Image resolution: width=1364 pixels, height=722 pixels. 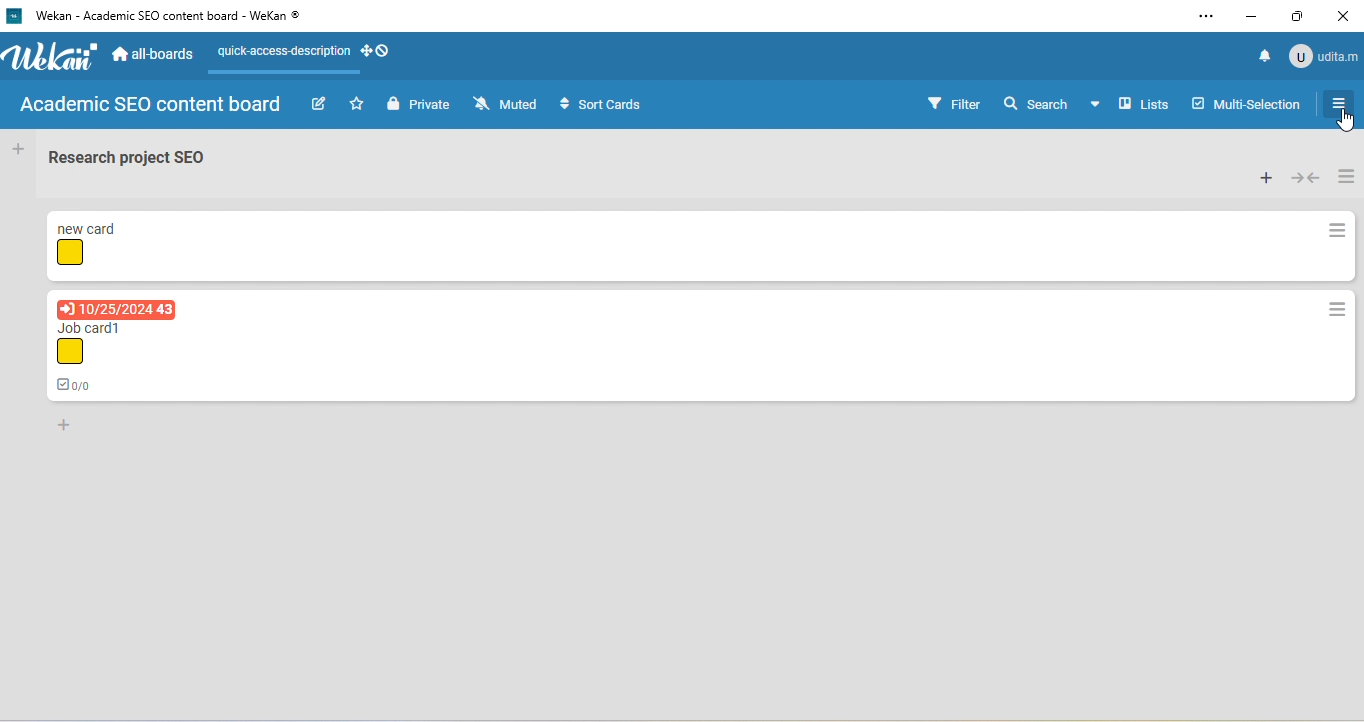 I want to click on filter, so click(x=951, y=103).